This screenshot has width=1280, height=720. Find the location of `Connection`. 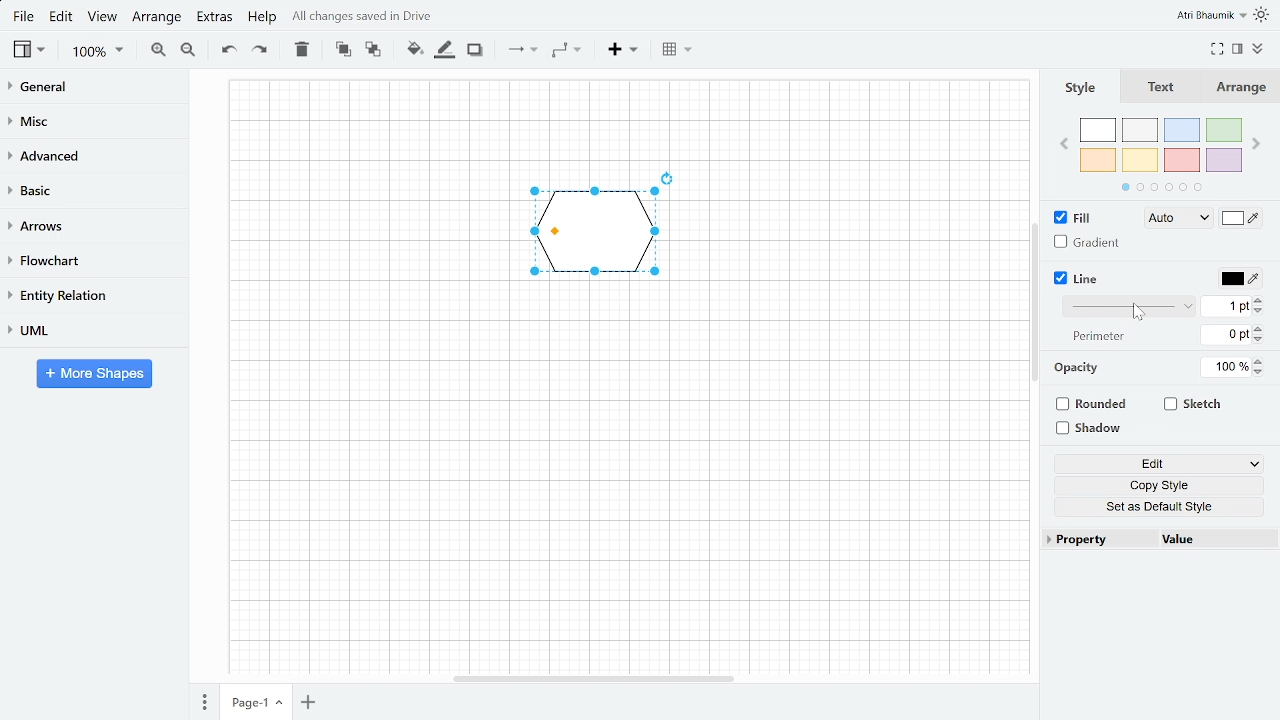

Connection is located at coordinates (519, 53).